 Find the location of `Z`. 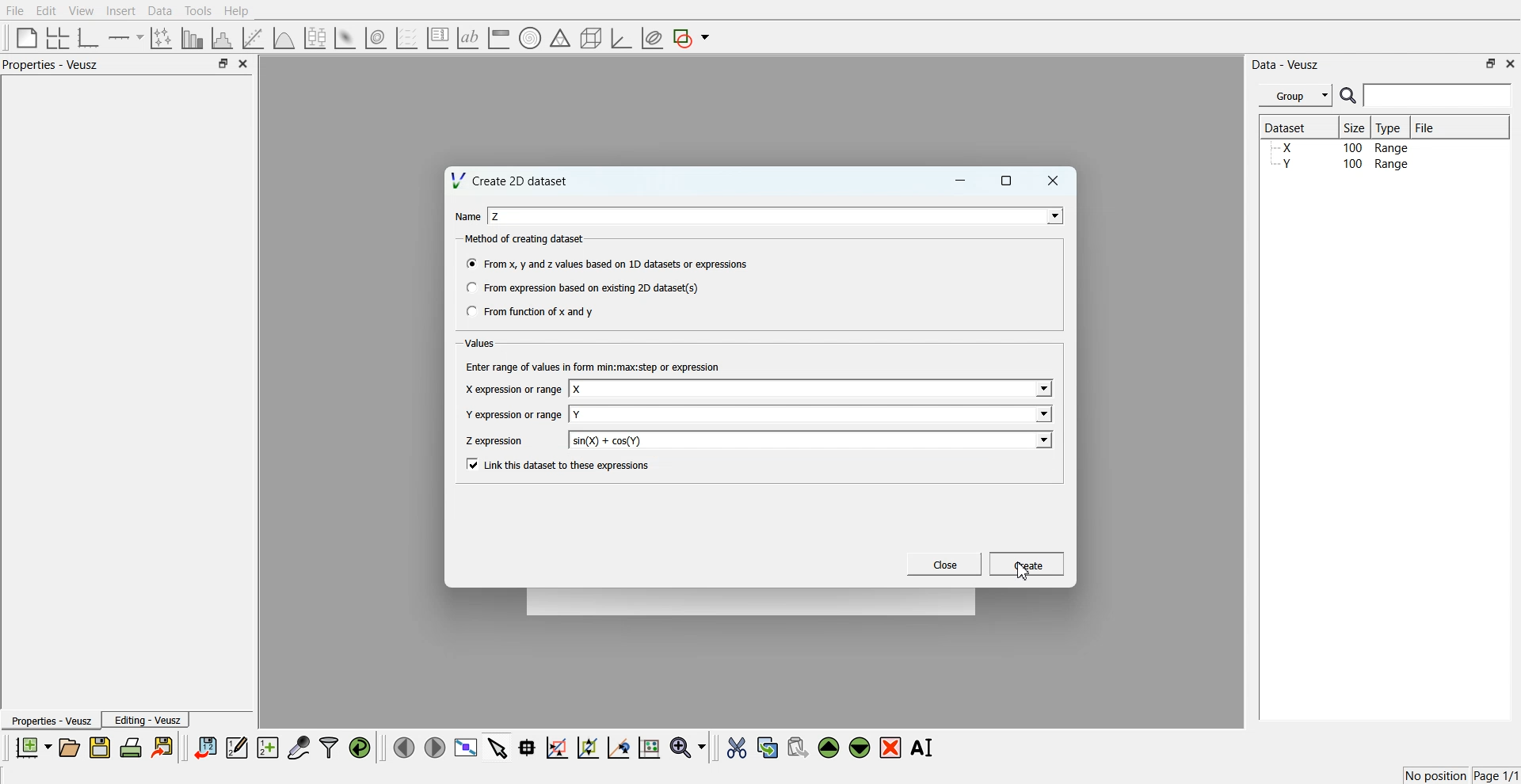

Z is located at coordinates (497, 216).